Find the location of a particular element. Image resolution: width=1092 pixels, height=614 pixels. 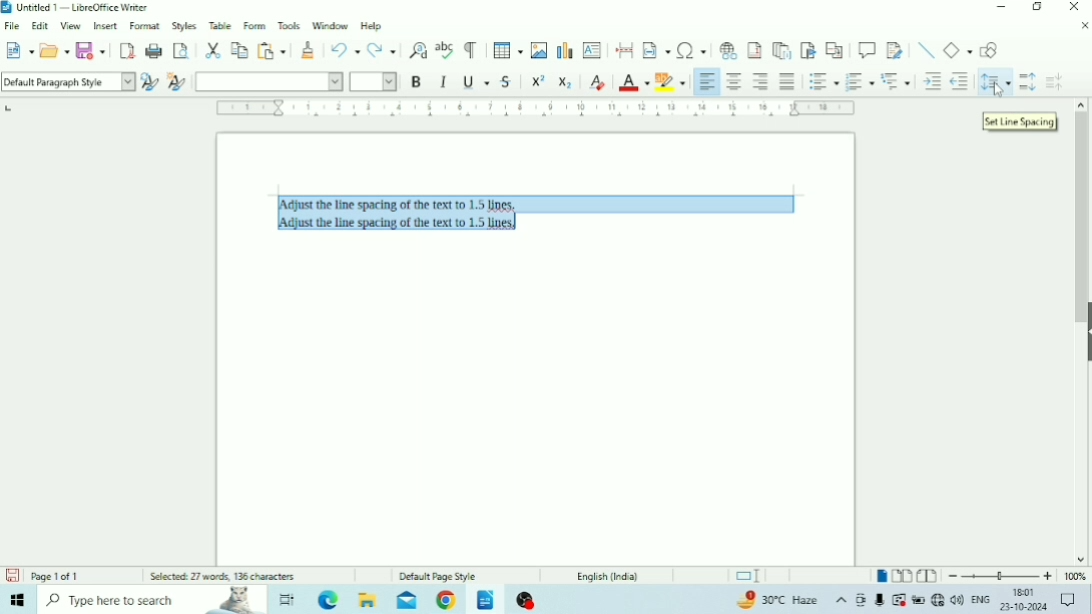

Check Spelling is located at coordinates (445, 50).